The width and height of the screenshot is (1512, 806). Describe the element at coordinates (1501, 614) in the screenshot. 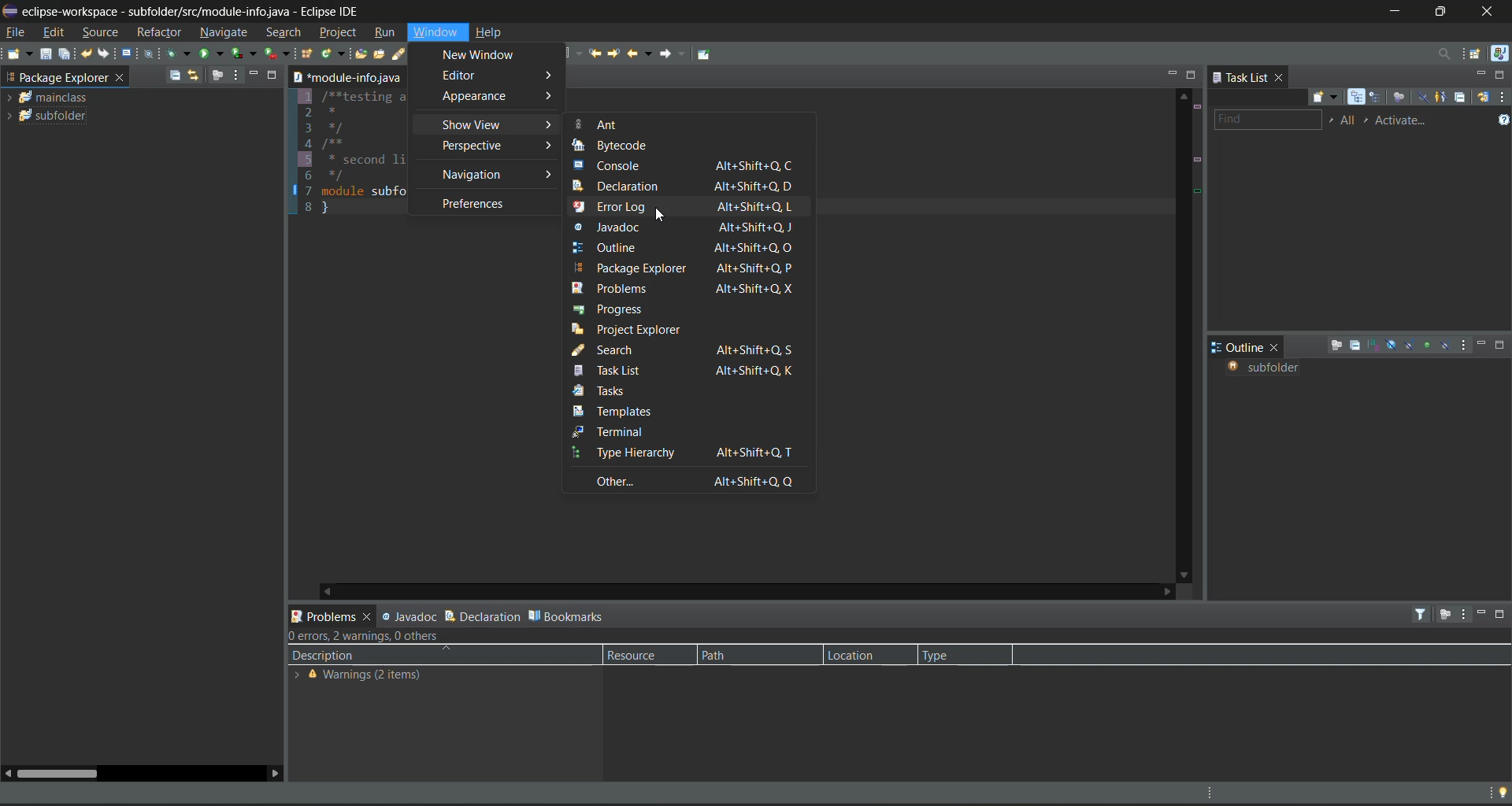

I see `maximize` at that location.